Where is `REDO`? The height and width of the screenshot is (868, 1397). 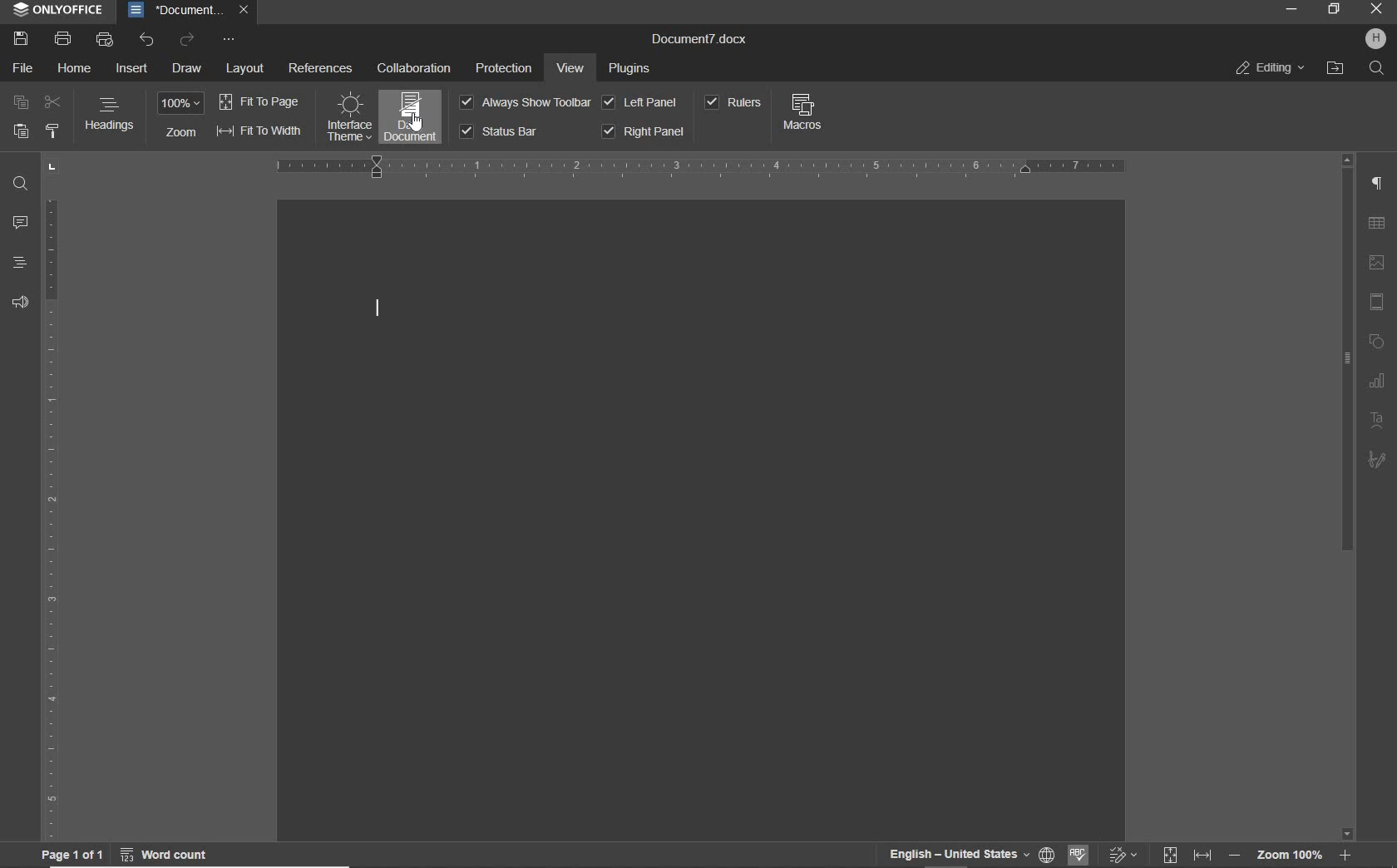
REDO is located at coordinates (188, 42).